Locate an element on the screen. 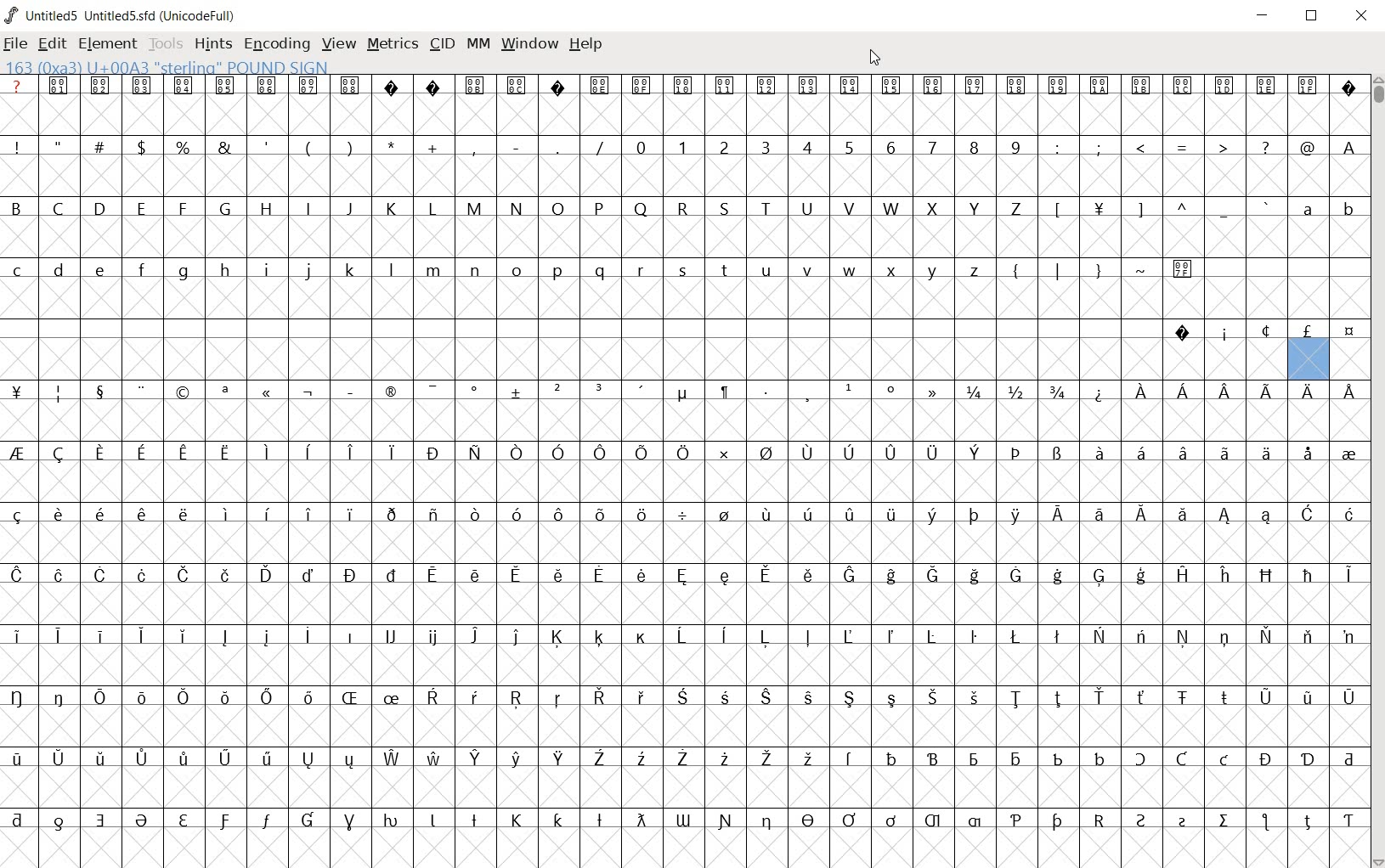 The width and height of the screenshot is (1385, 868). Symbol is located at coordinates (184, 86).